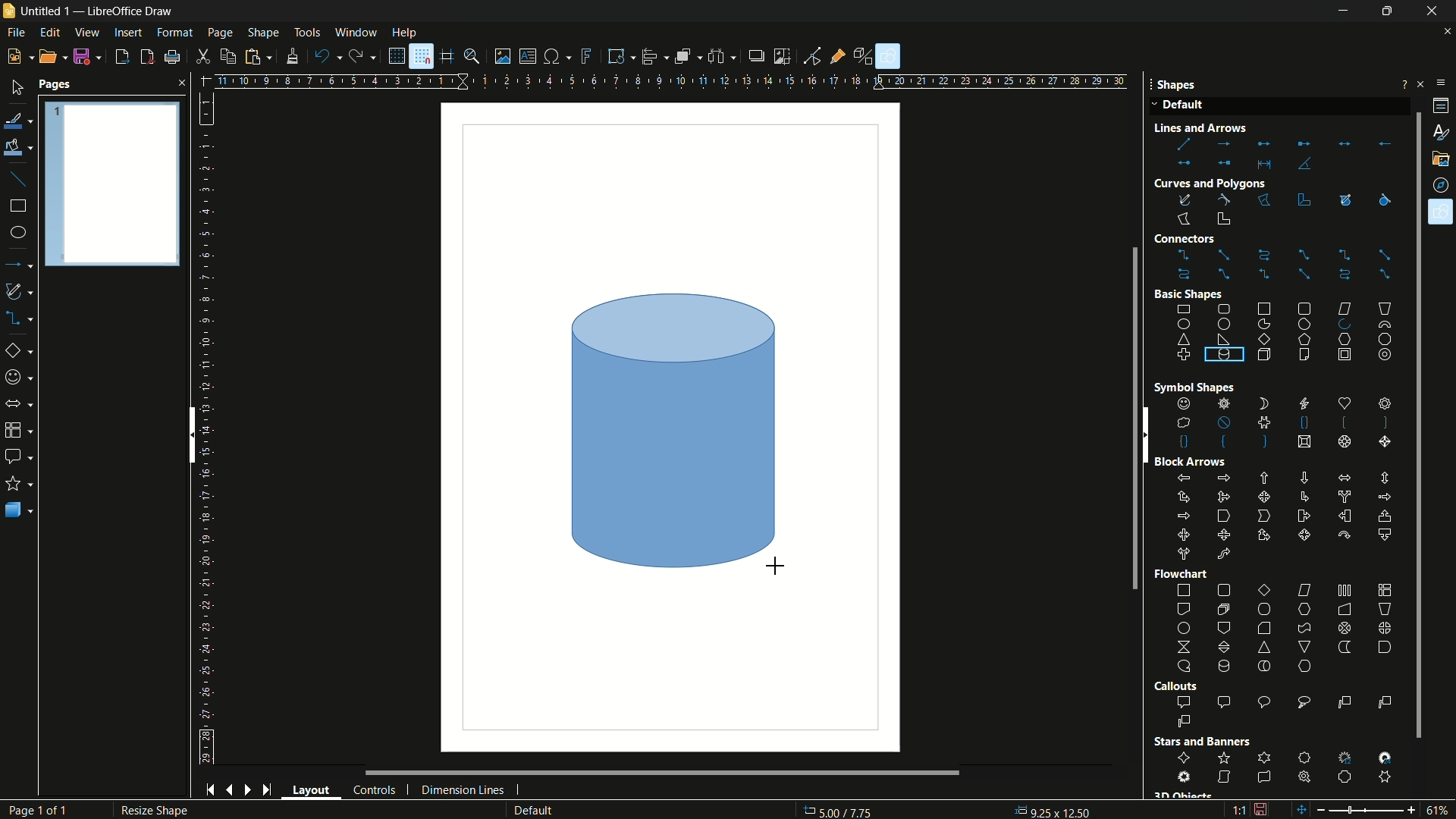 The image size is (1456, 819). I want to click on next page, so click(248, 790).